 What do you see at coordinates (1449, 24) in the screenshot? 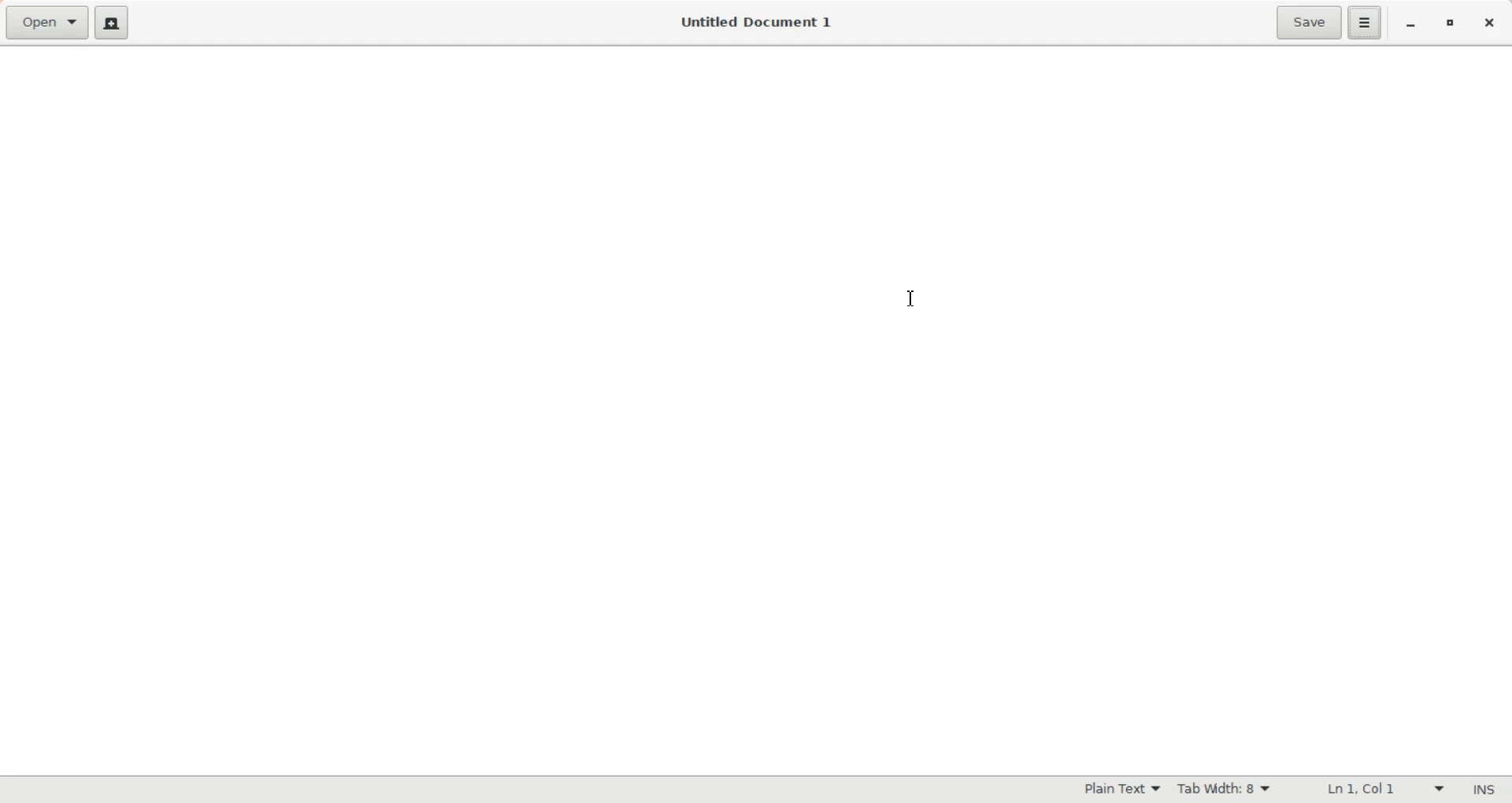
I see `Maximize` at bounding box center [1449, 24].